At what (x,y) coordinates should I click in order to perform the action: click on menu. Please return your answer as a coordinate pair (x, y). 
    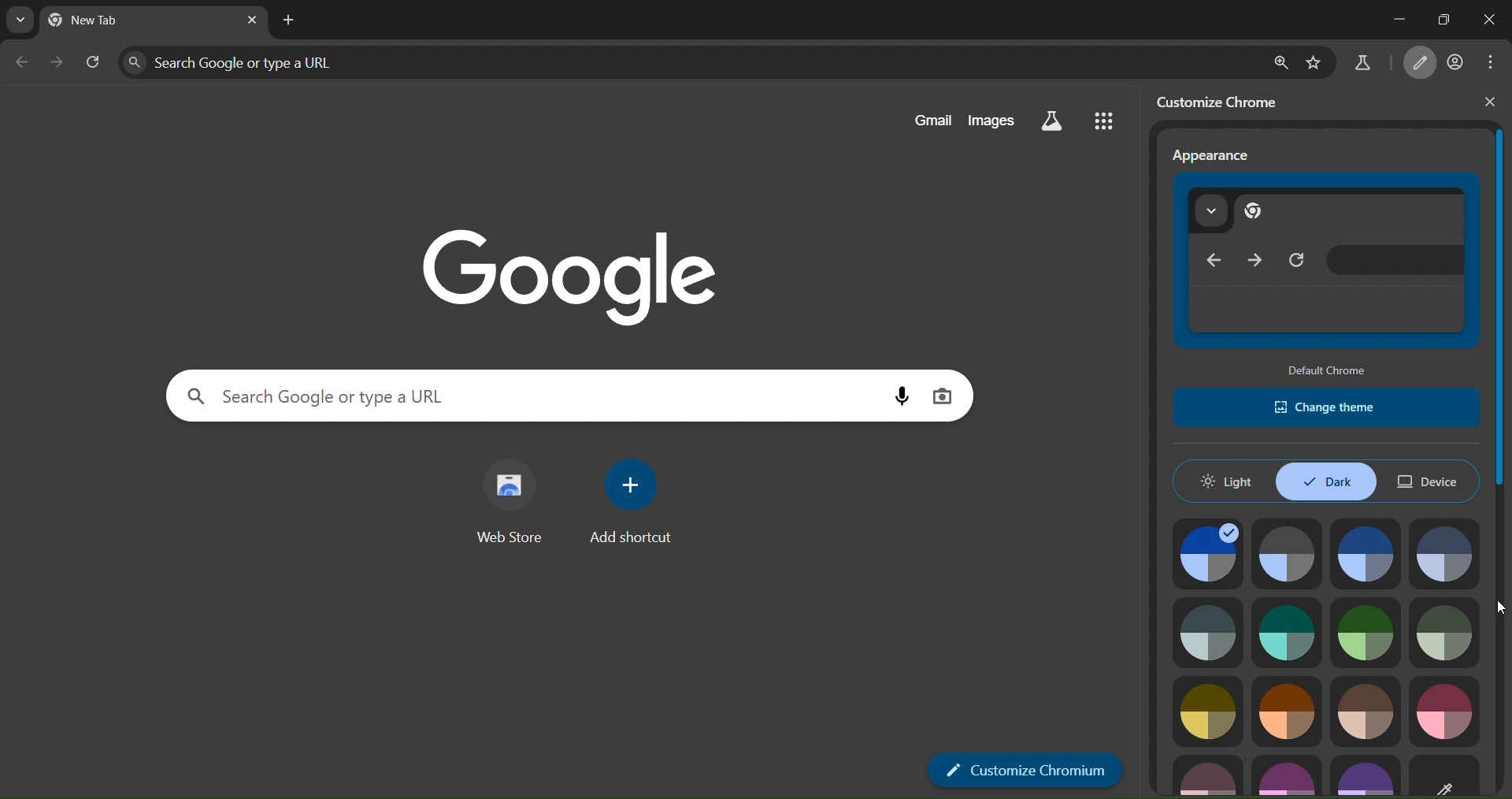
    Looking at the image, I should click on (1489, 62).